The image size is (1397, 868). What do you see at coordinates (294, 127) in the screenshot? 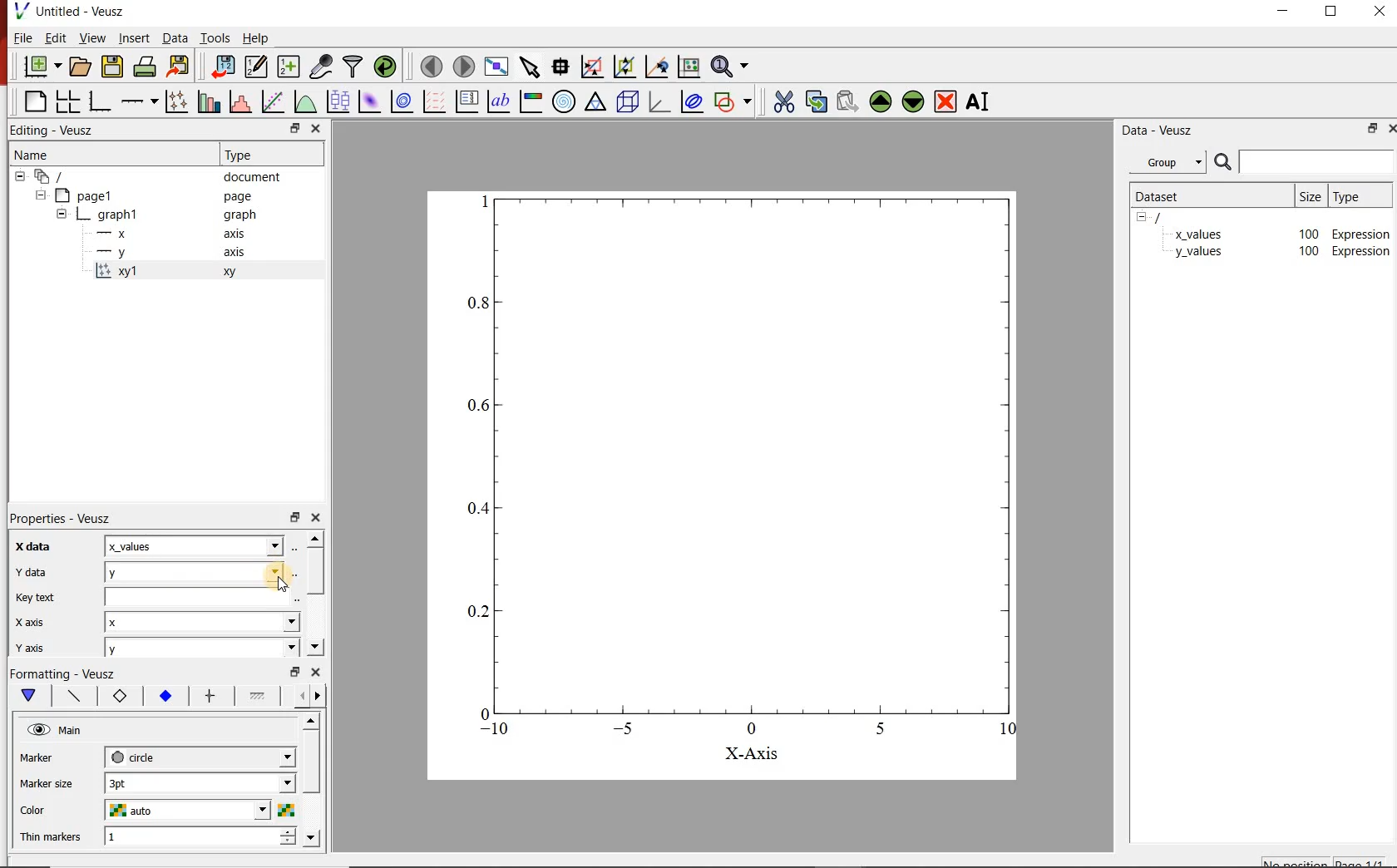
I see `restore down` at bounding box center [294, 127].